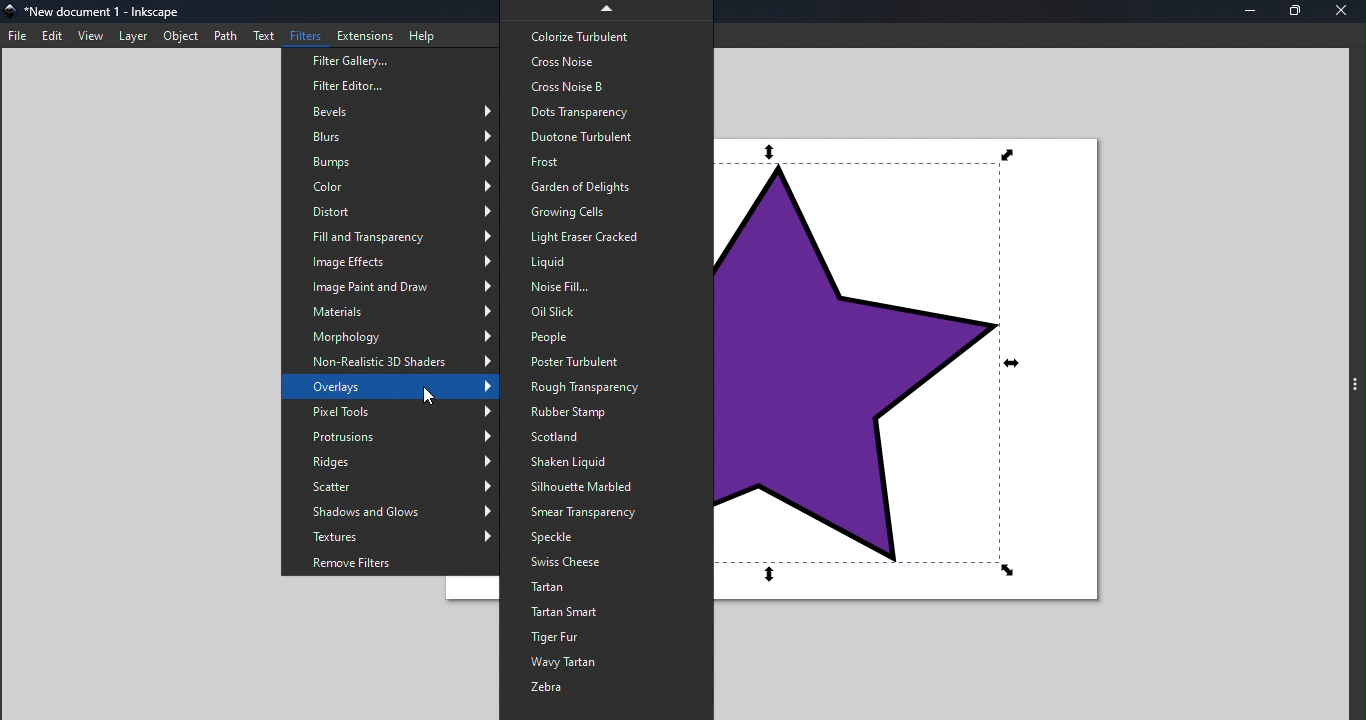  Describe the element at coordinates (611, 436) in the screenshot. I see `Scotland` at that location.